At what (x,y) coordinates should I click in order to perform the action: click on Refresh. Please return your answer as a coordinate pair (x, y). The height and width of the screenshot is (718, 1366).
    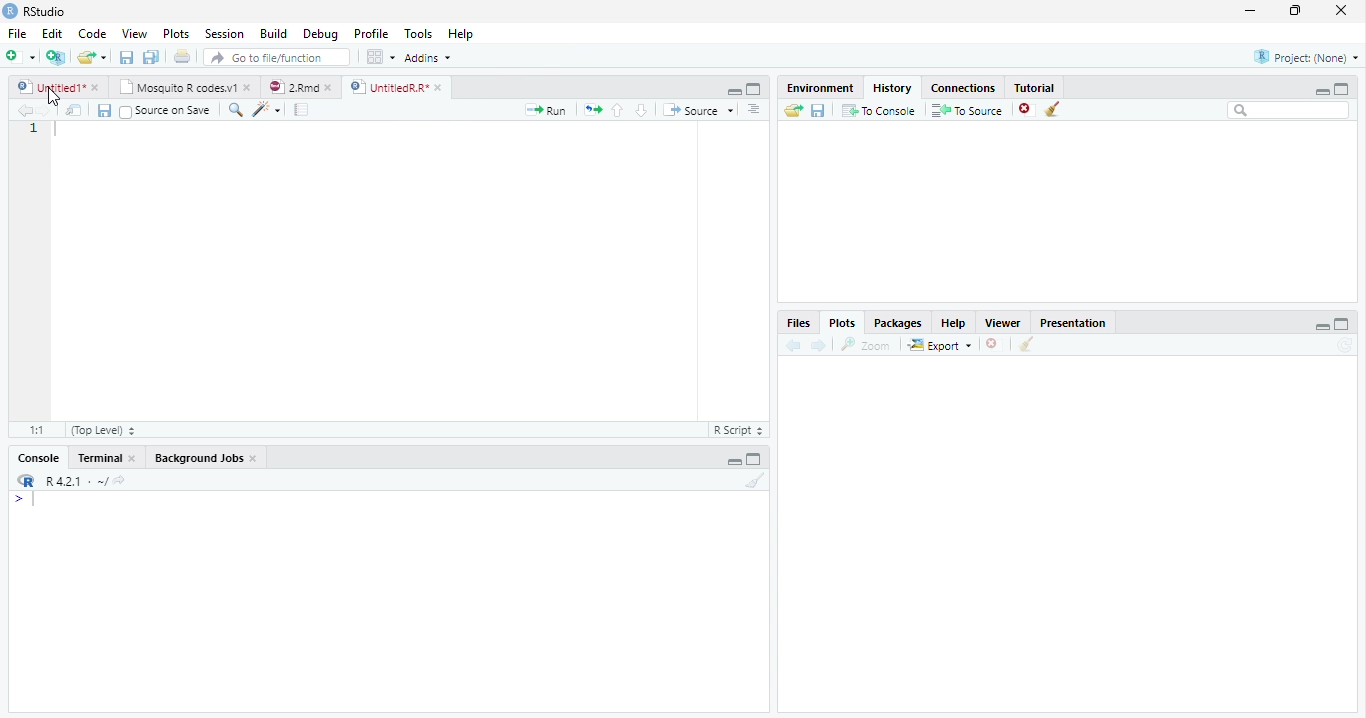
    Looking at the image, I should click on (1345, 346).